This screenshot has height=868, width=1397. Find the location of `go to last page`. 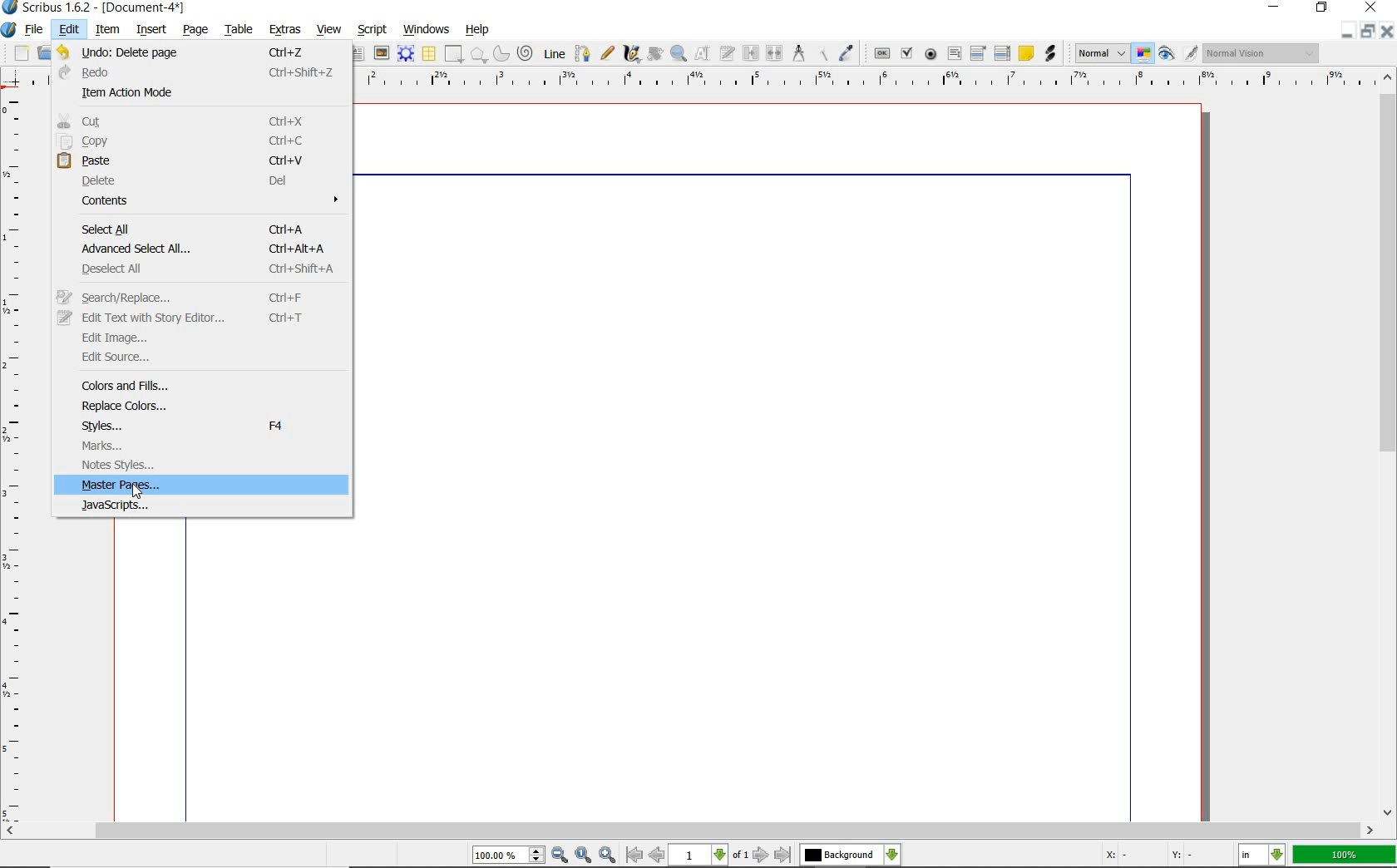

go to last page is located at coordinates (783, 855).